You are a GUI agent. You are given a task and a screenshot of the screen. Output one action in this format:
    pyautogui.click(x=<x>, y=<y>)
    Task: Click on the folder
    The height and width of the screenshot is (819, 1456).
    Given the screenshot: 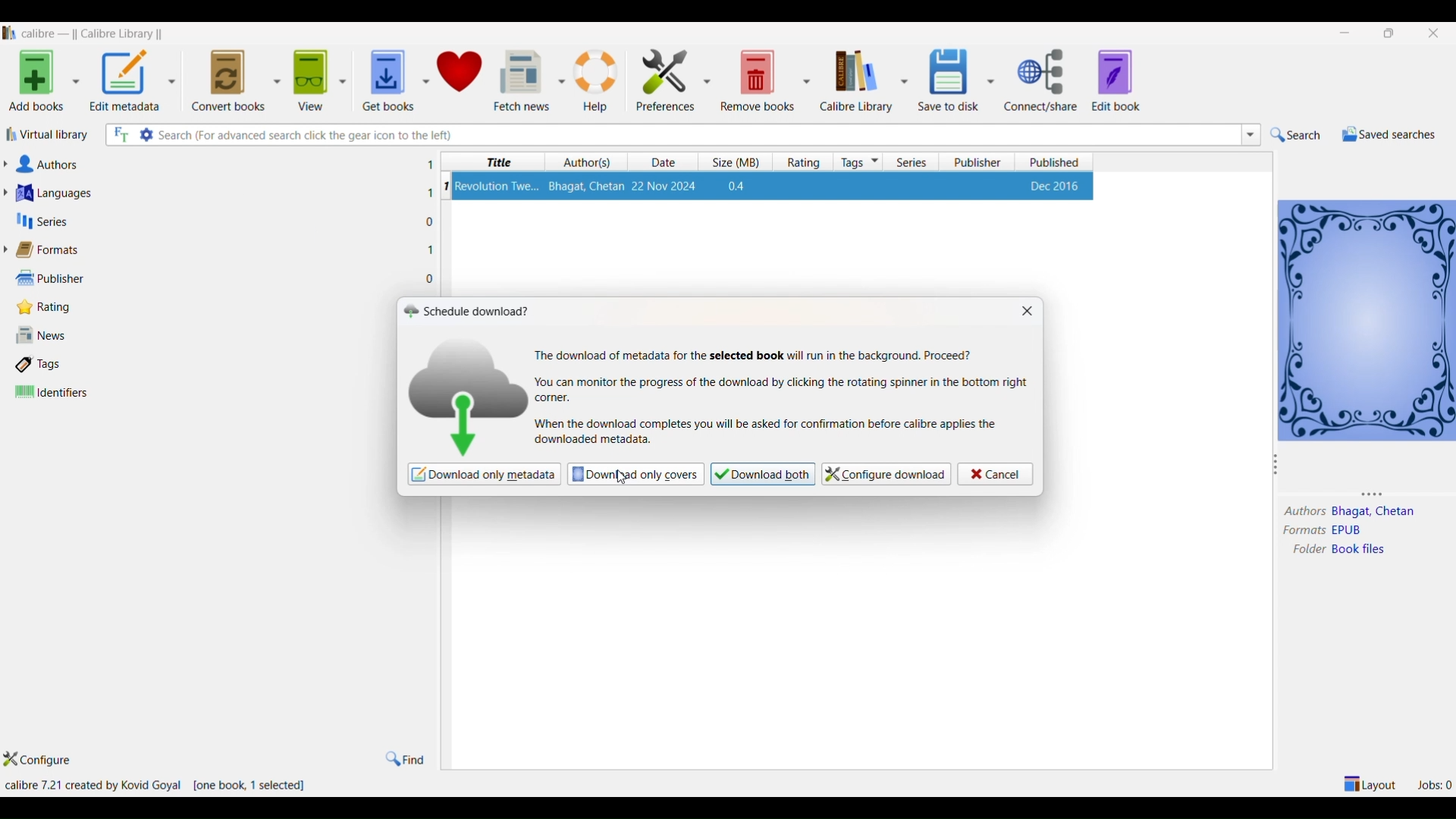 What is the action you would take?
    pyautogui.click(x=1305, y=551)
    